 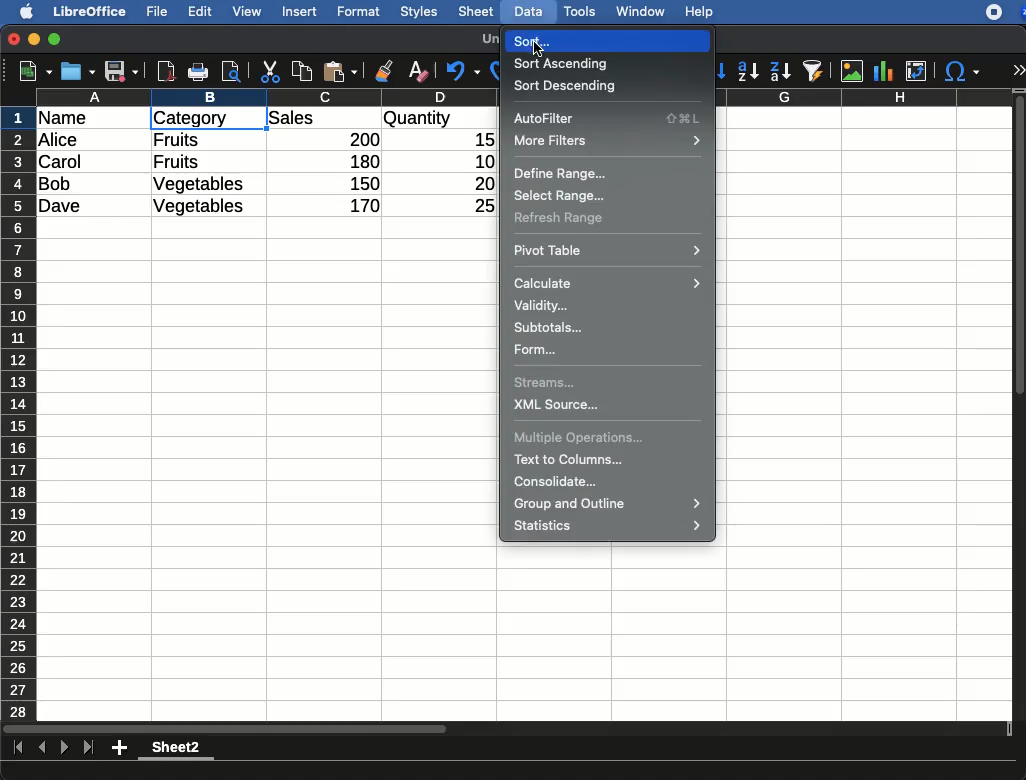 I want to click on sheet 2, so click(x=176, y=750).